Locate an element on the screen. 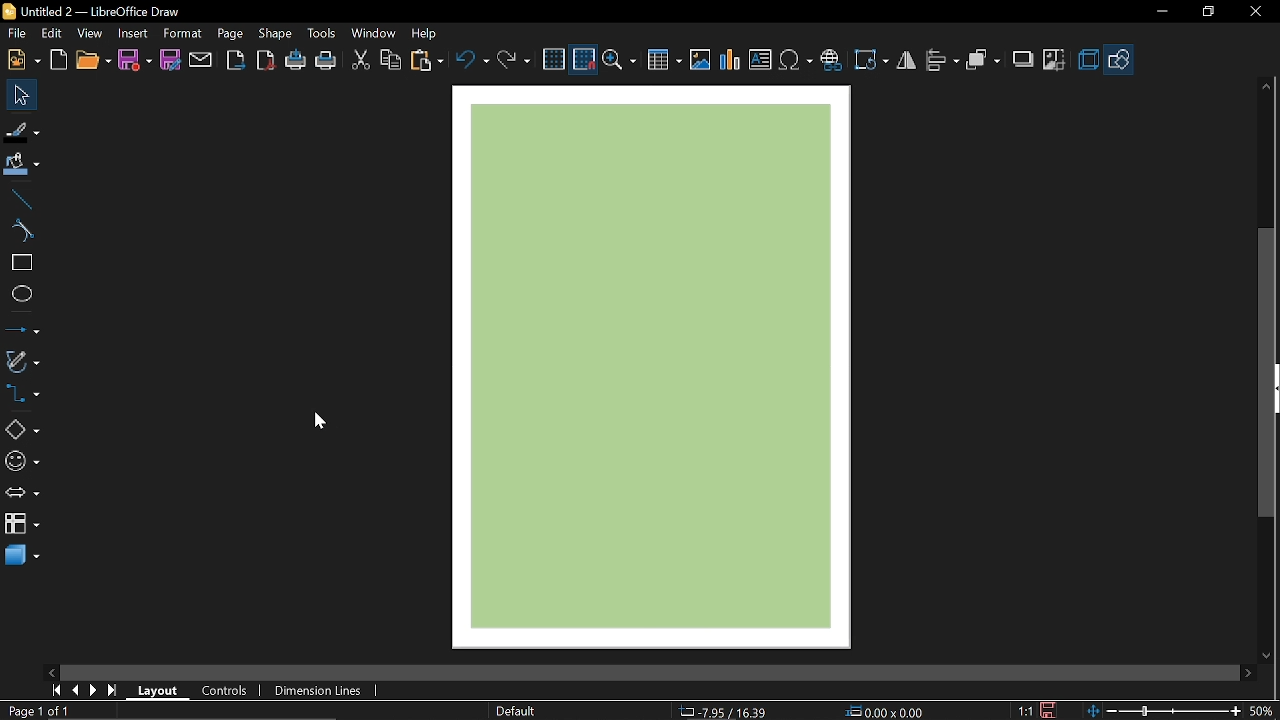 This screenshot has width=1280, height=720. Crop is located at coordinates (1054, 61).